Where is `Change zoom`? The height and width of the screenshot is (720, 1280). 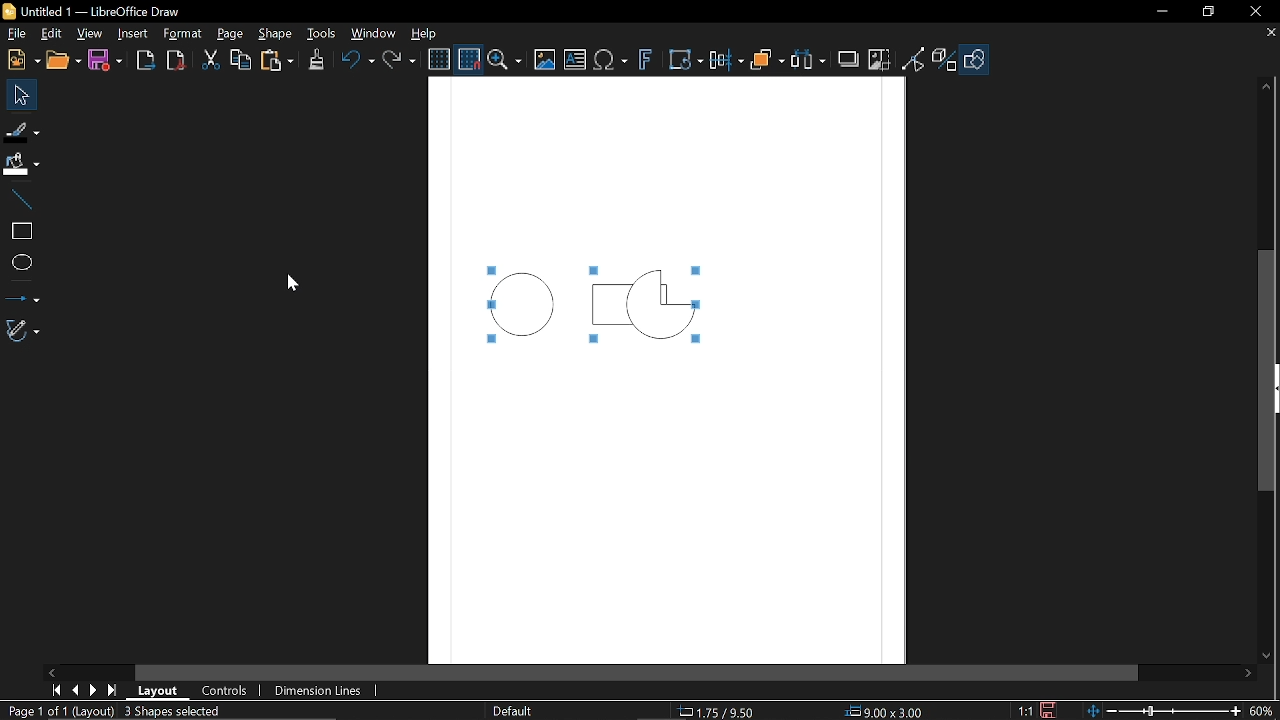 Change zoom is located at coordinates (1159, 710).